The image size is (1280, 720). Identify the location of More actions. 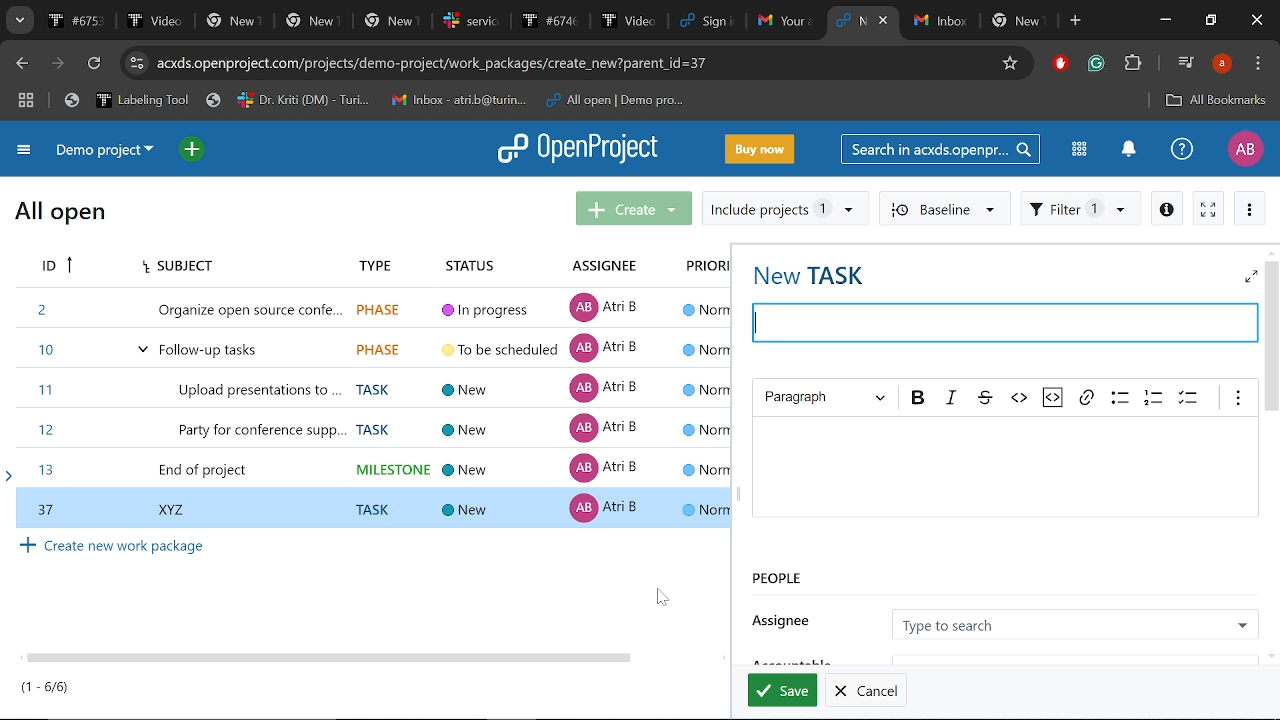
(1250, 208).